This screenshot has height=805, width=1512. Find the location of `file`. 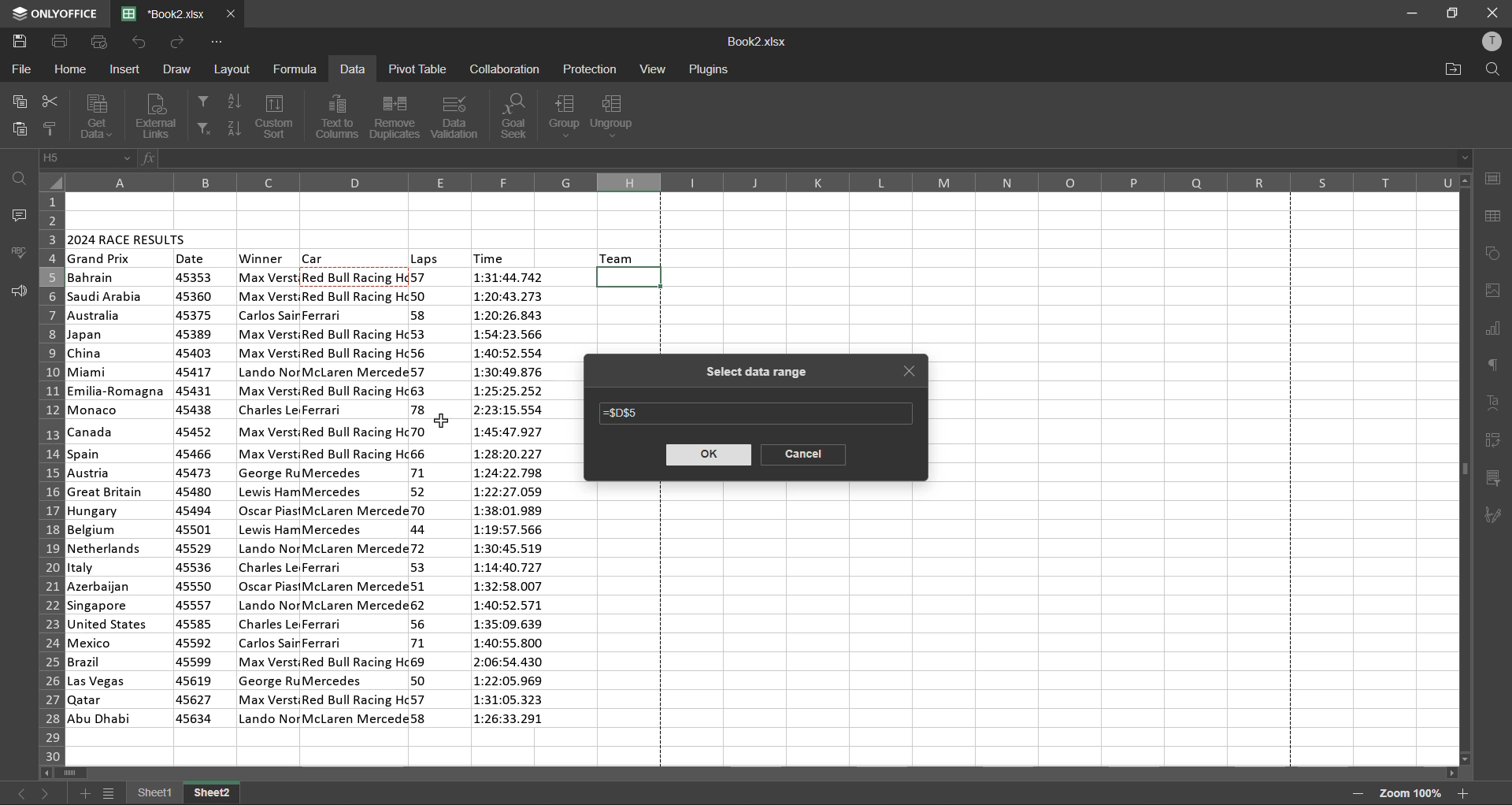

file is located at coordinates (19, 69).